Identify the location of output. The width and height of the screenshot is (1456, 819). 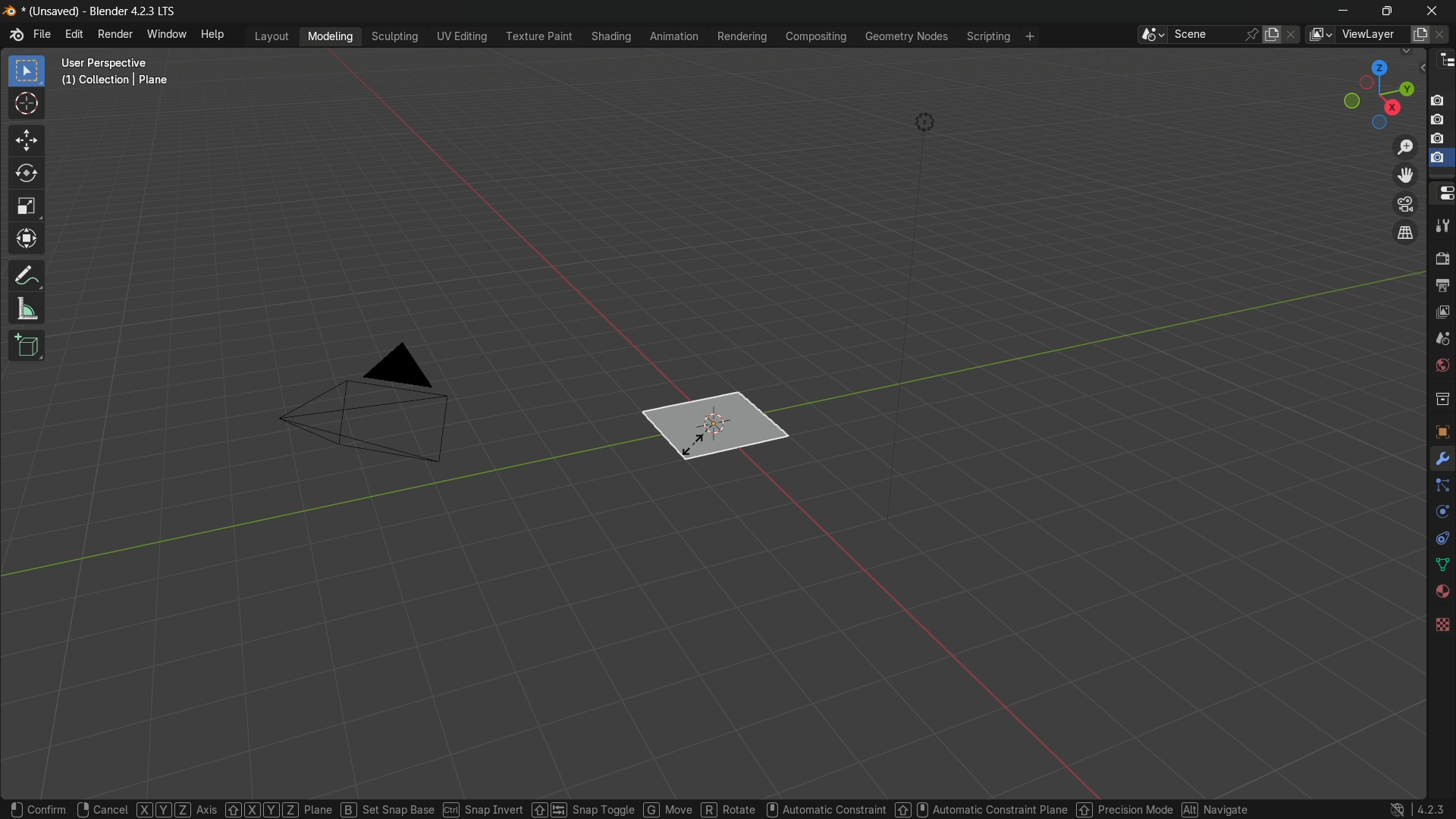
(1441, 284).